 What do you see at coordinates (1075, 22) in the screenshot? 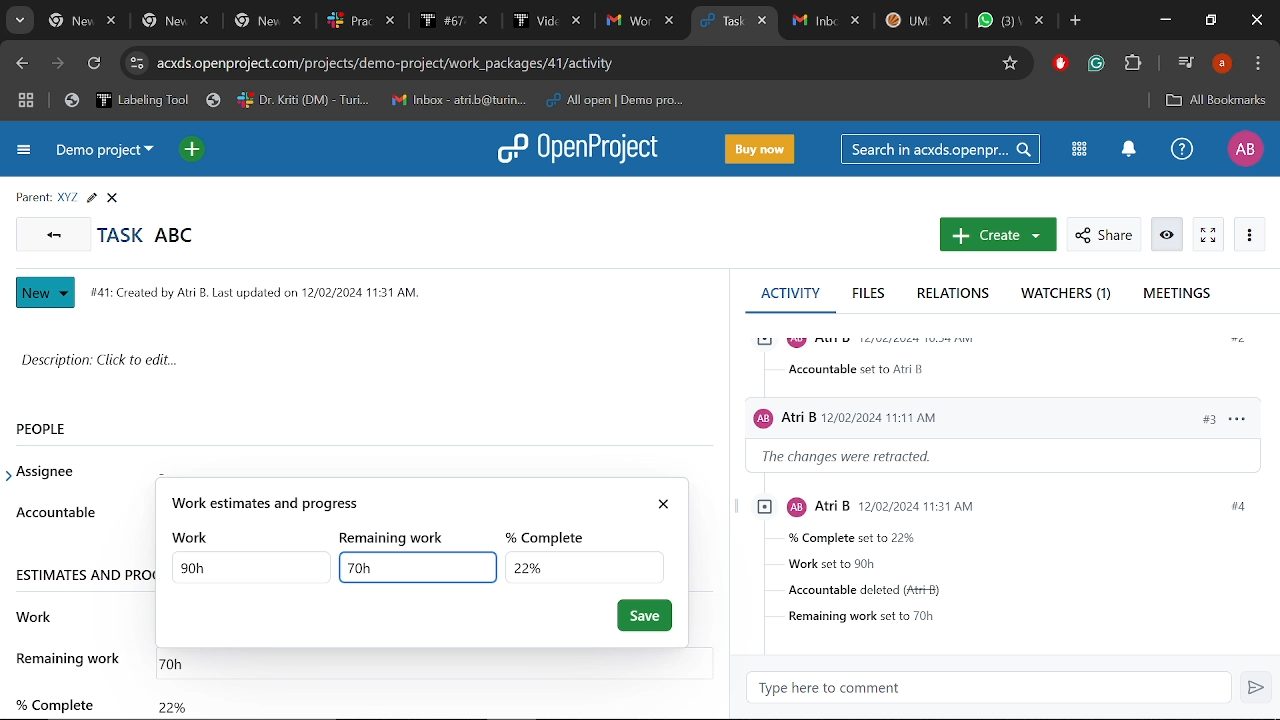
I see `Add new tab` at bounding box center [1075, 22].